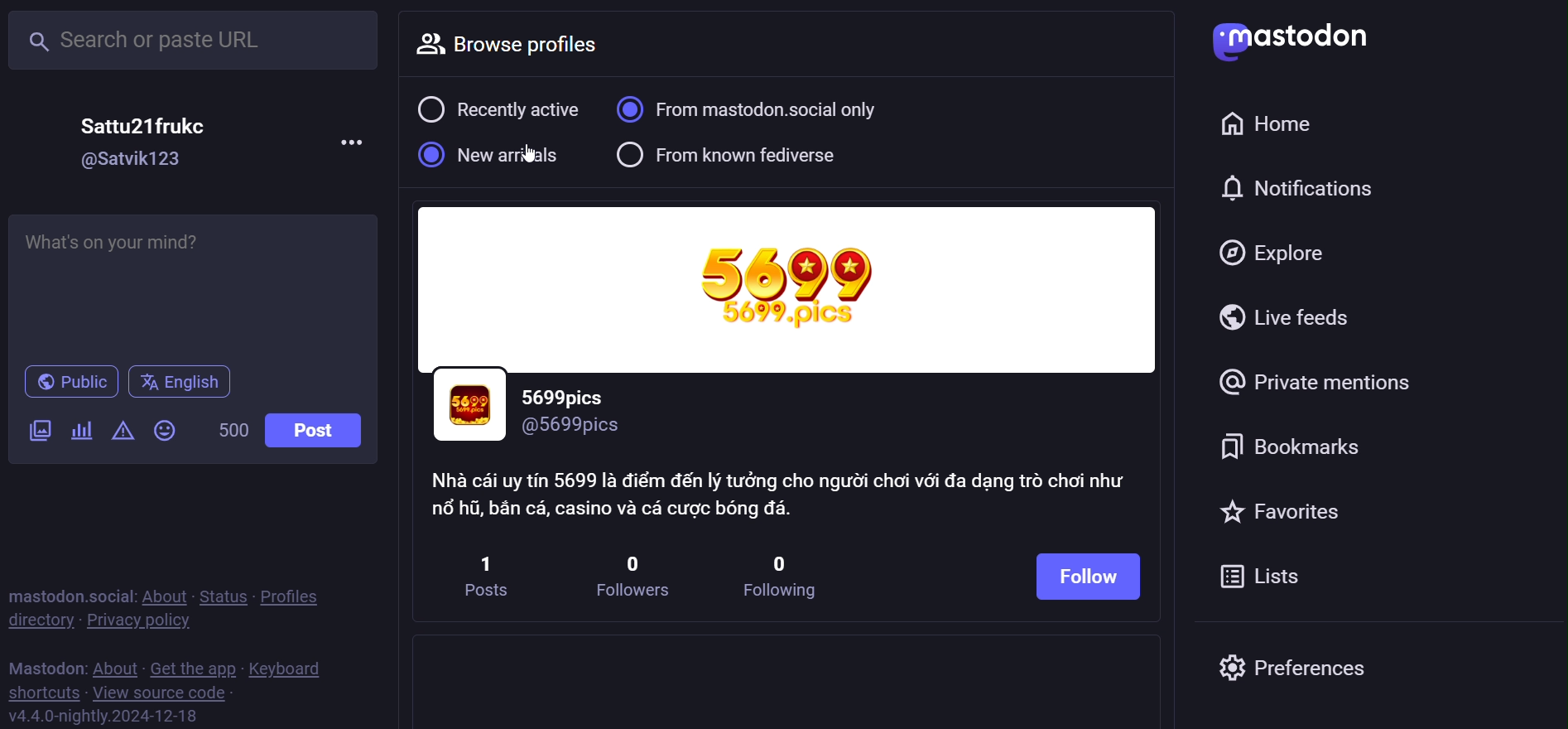 The height and width of the screenshot is (729, 1568). I want to click on english, so click(180, 383).